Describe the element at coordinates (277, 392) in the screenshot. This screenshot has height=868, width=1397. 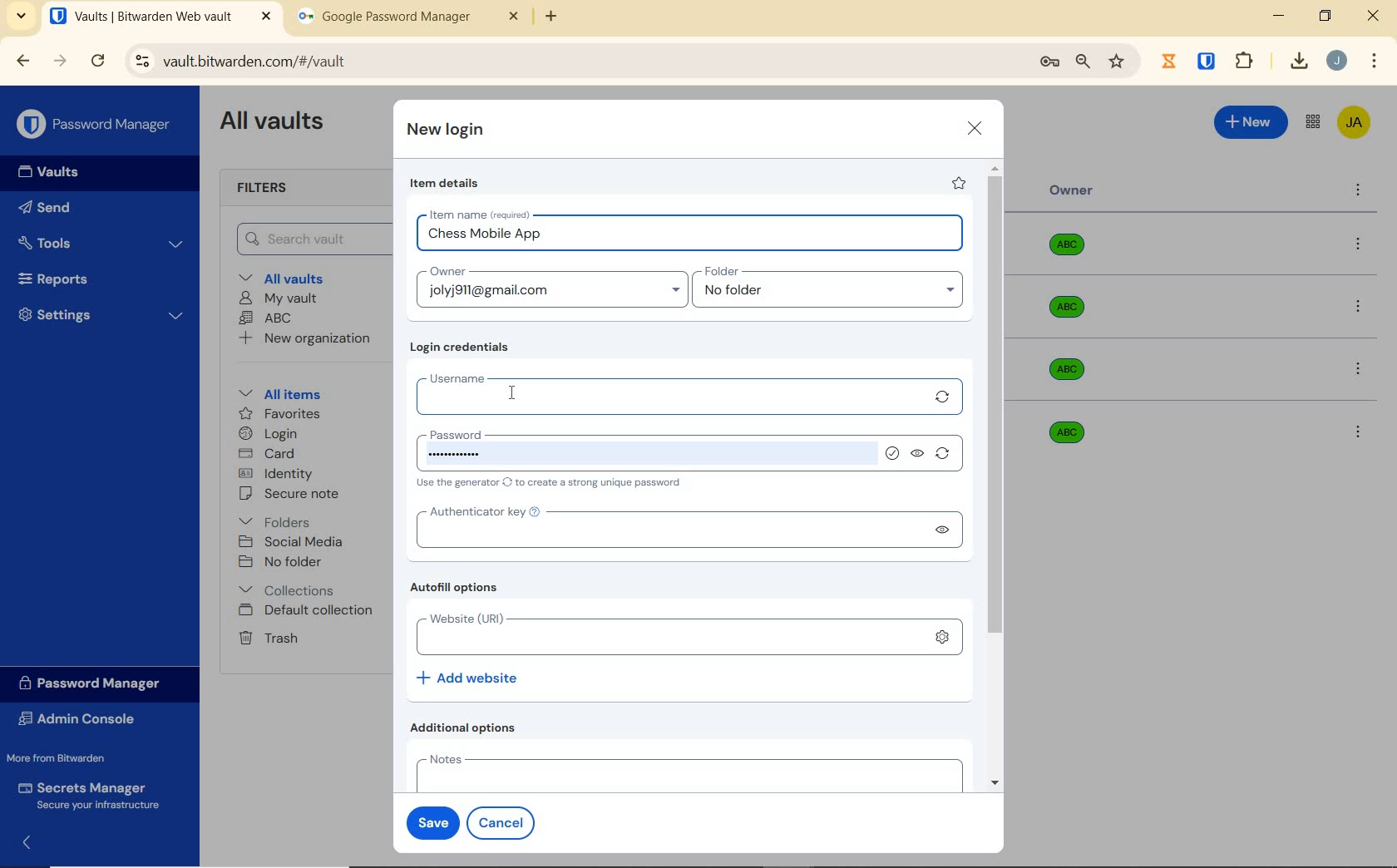
I see `All items` at that location.